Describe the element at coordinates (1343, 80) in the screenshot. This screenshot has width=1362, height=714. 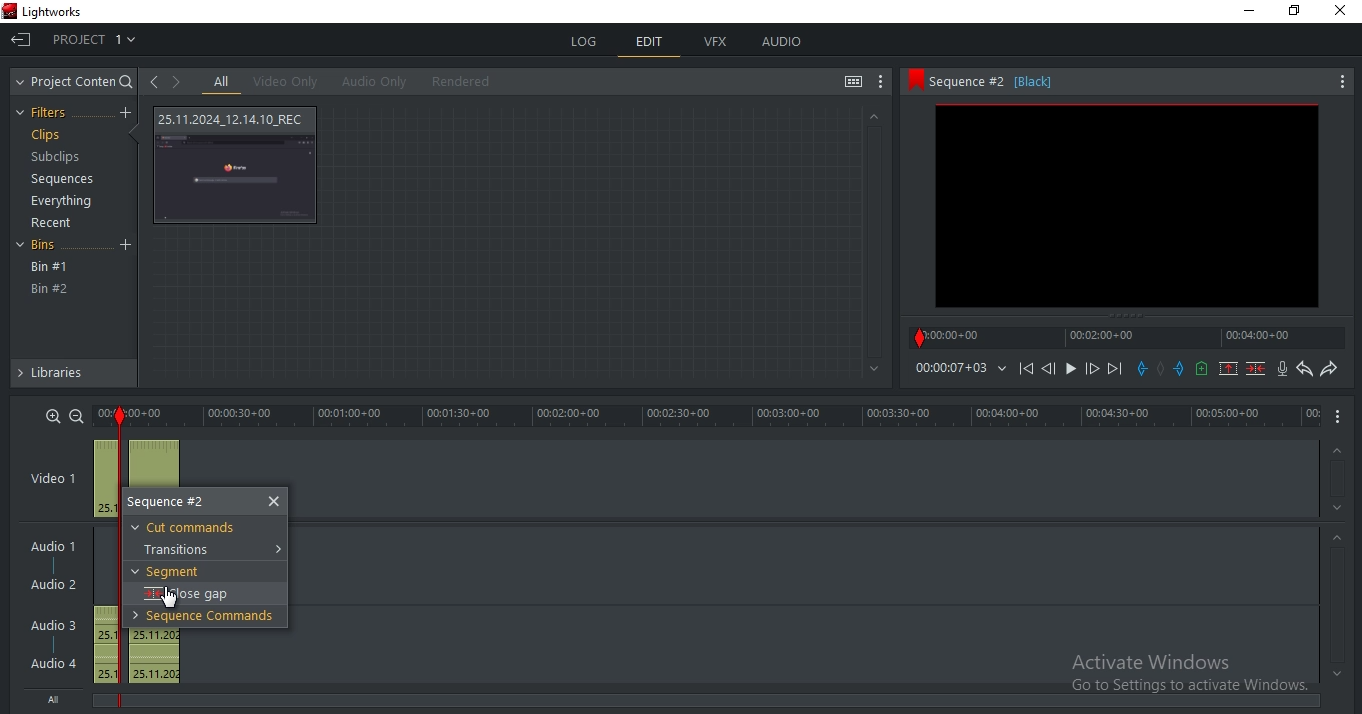
I see `More Options` at that location.